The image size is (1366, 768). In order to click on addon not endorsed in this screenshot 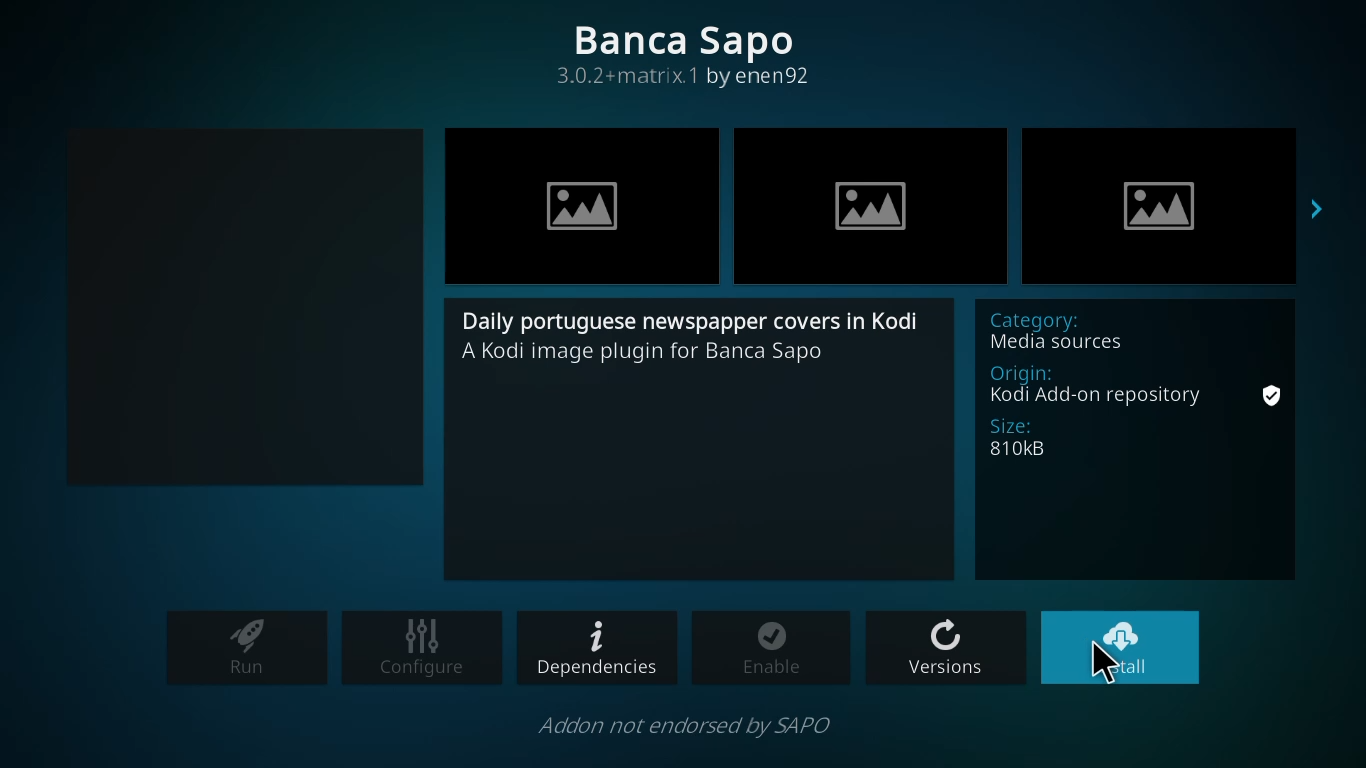, I will do `click(694, 726)`.